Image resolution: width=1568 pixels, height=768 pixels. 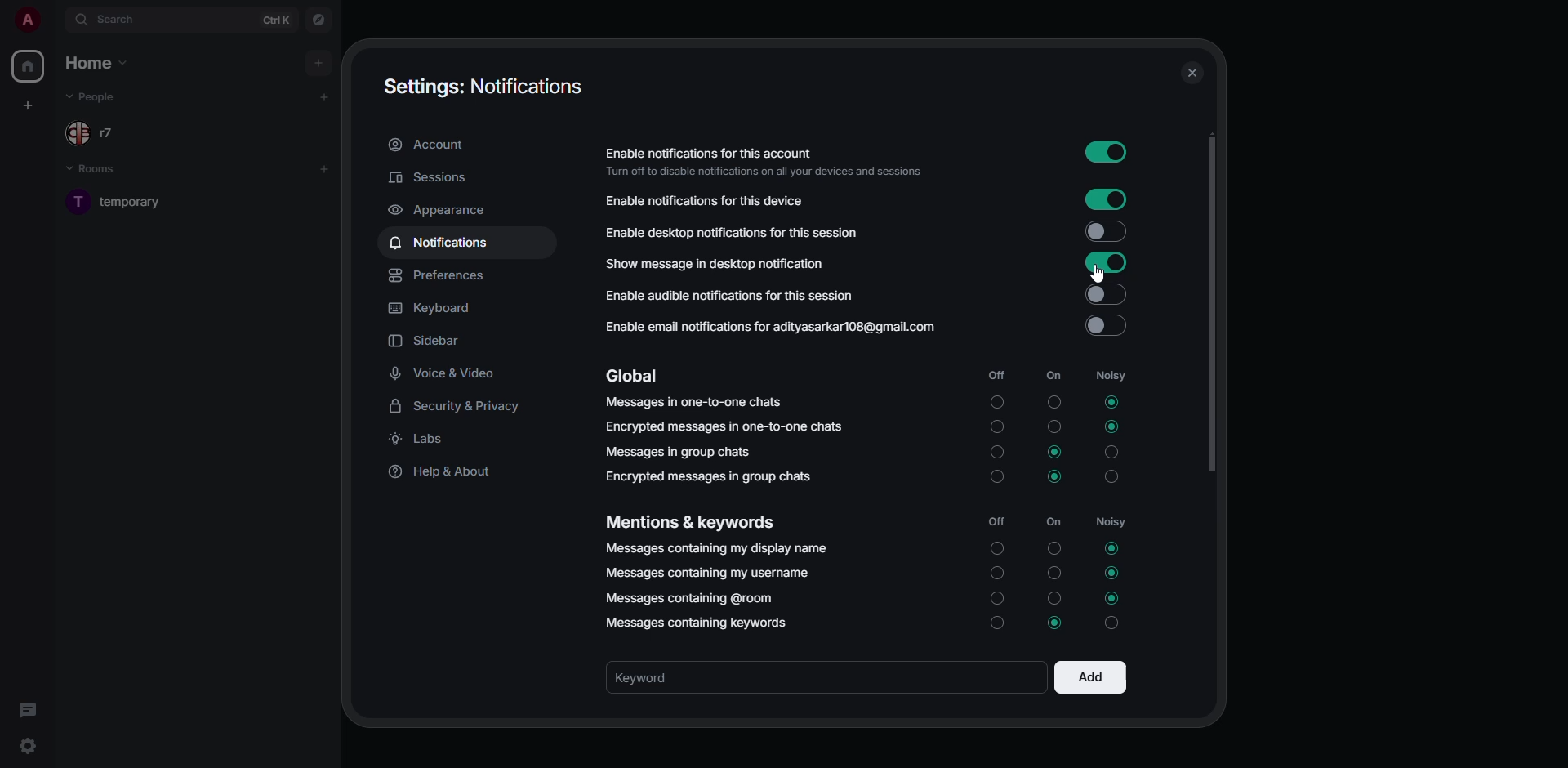 What do you see at coordinates (996, 549) in the screenshot?
I see `Off Unselected` at bounding box center [996, 549].